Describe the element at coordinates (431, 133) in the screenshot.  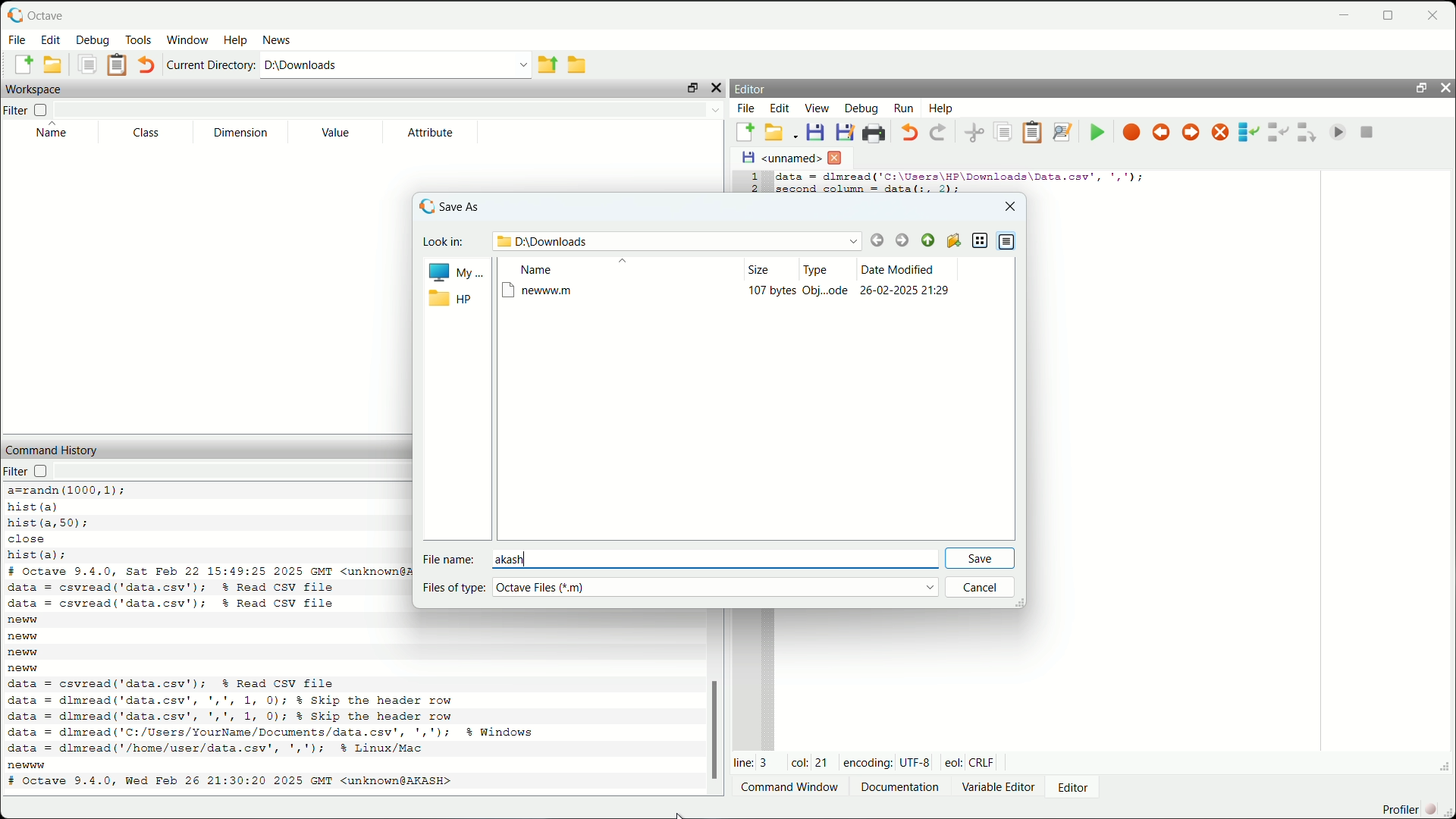
I see `attribute` at that location.